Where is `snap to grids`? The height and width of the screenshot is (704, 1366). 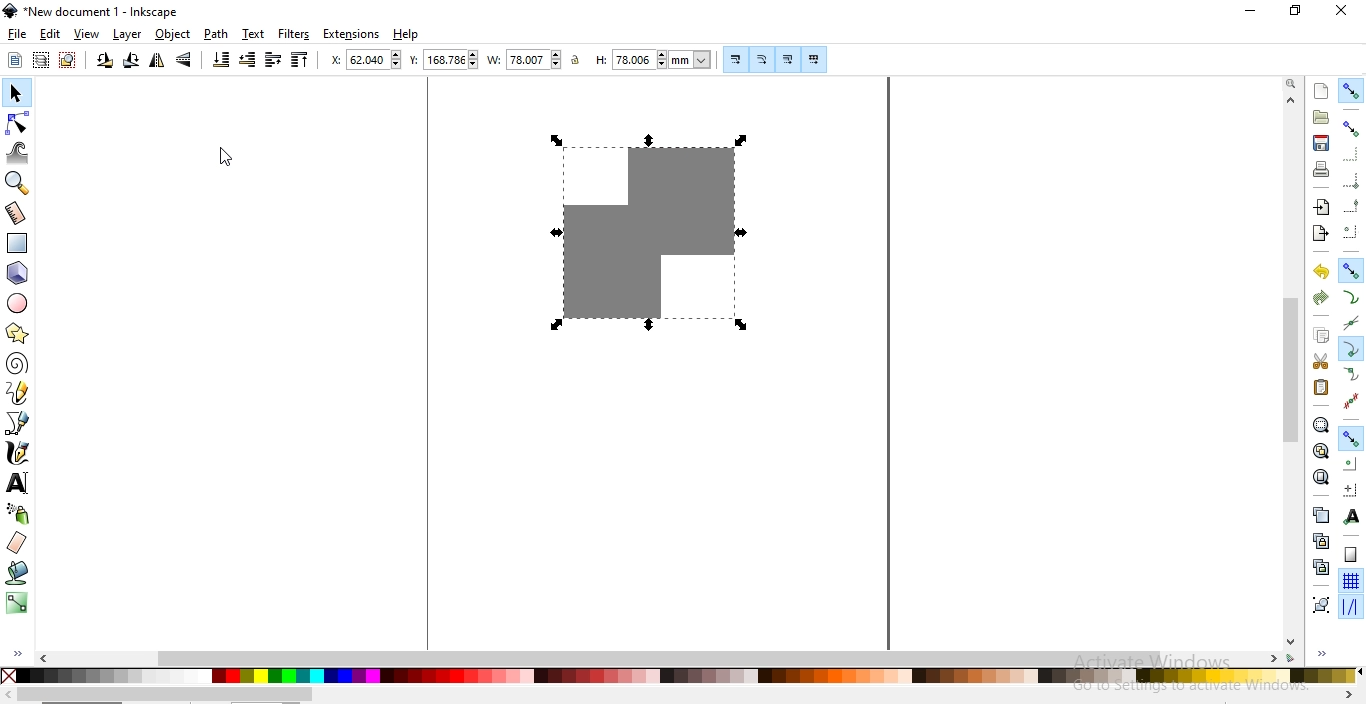 snap to grids is located at coordinates (1350, 582).